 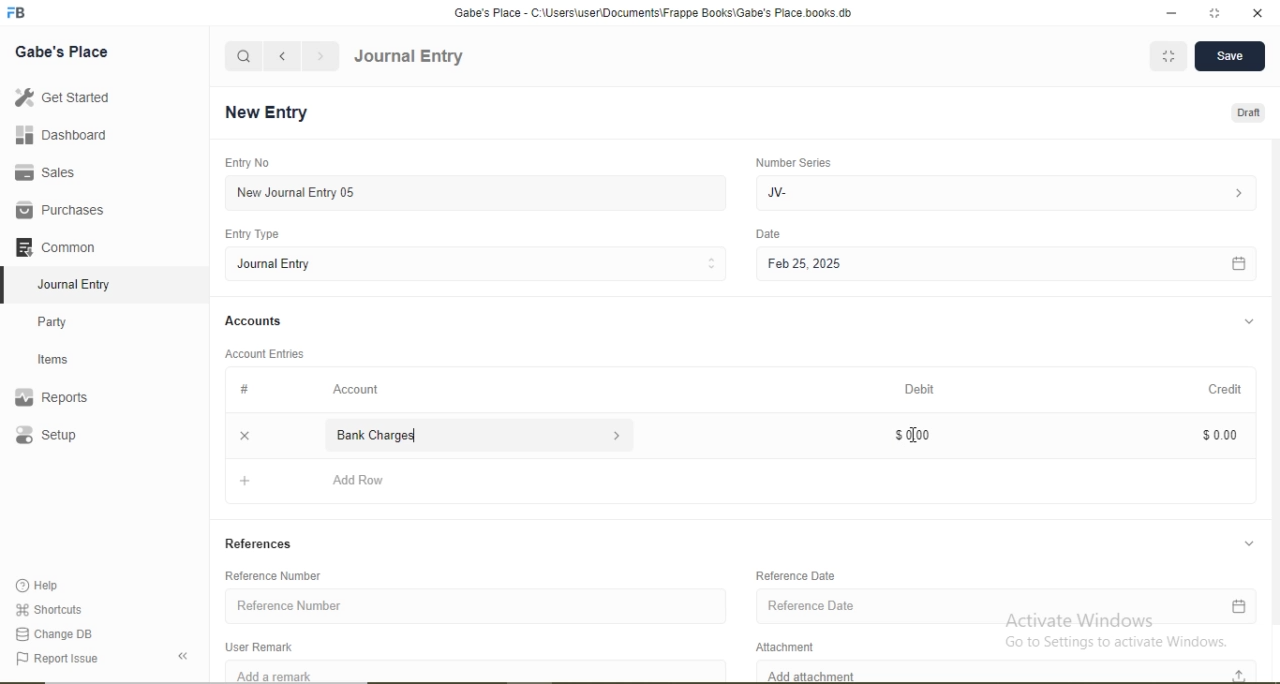 I want to click on Reference Number, so click(x=281, y=575).